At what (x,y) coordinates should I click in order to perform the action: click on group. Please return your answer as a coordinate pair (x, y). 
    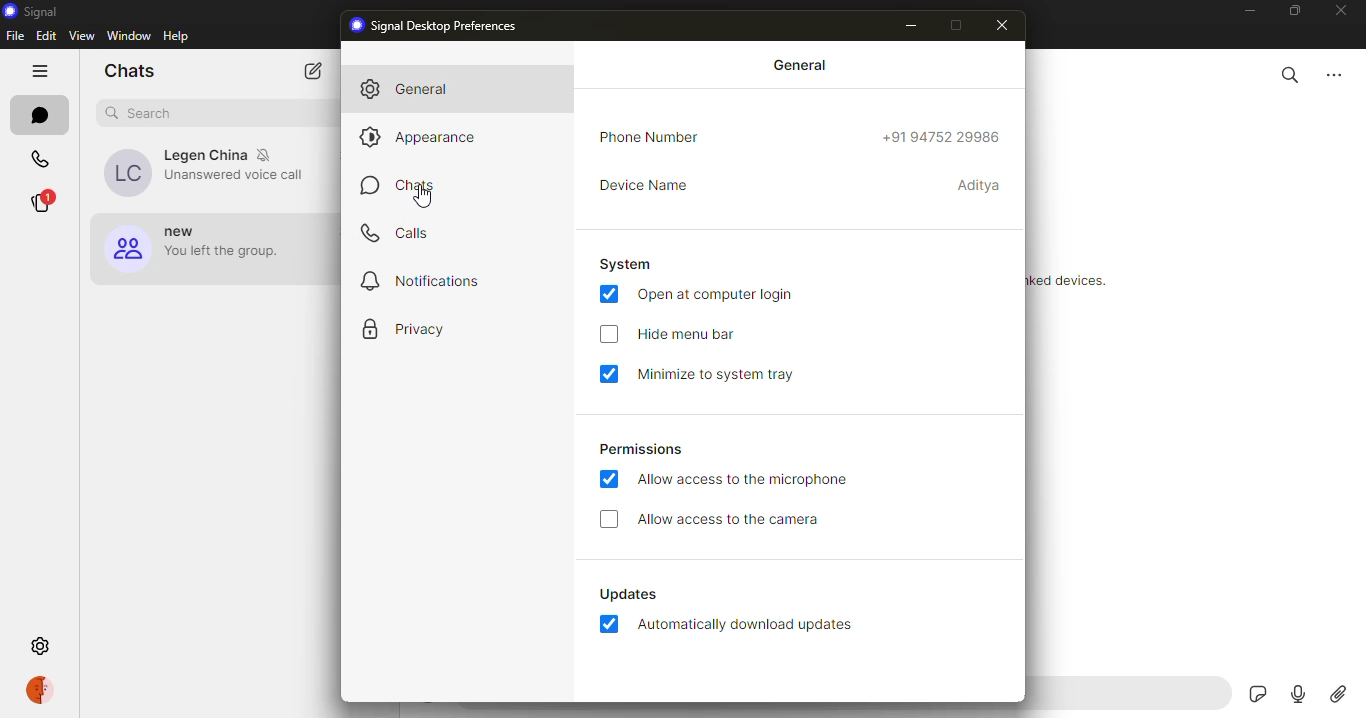
    Looking at the image, I should click on (203, 251).